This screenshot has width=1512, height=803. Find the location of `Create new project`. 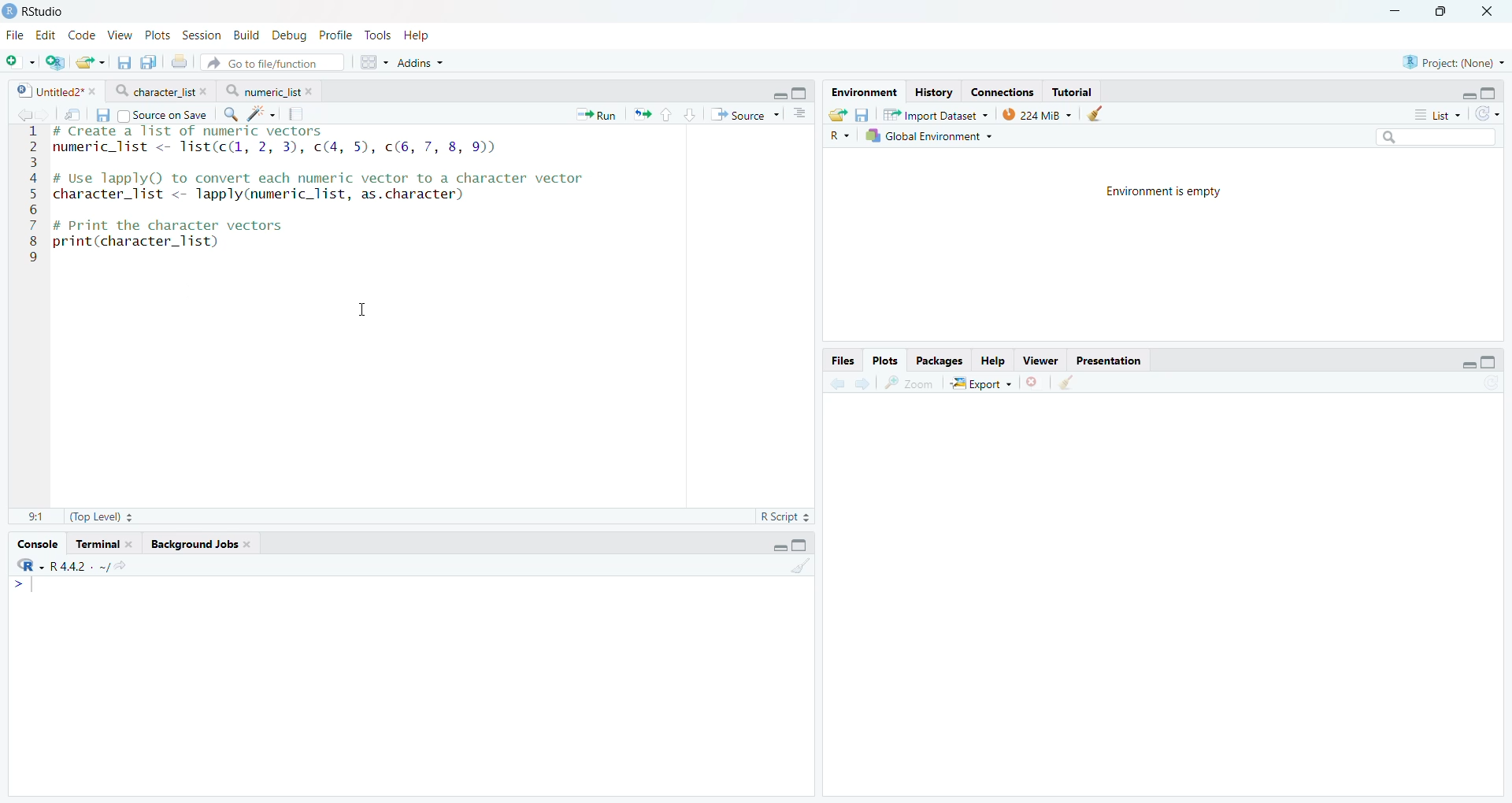

Create new project is located at coordinates (55, 63).